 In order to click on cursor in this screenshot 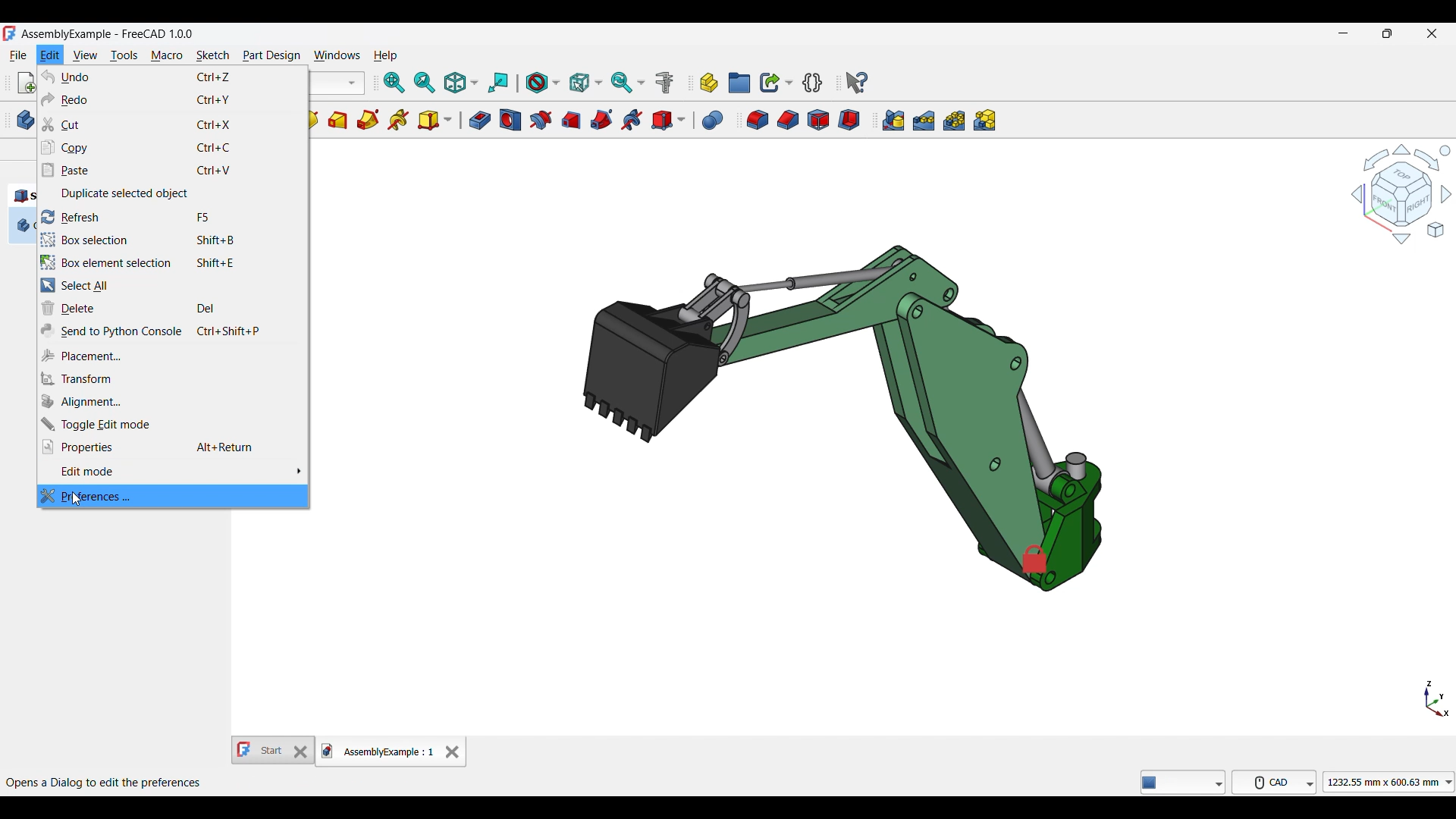, I will do `click(78, 502)`.